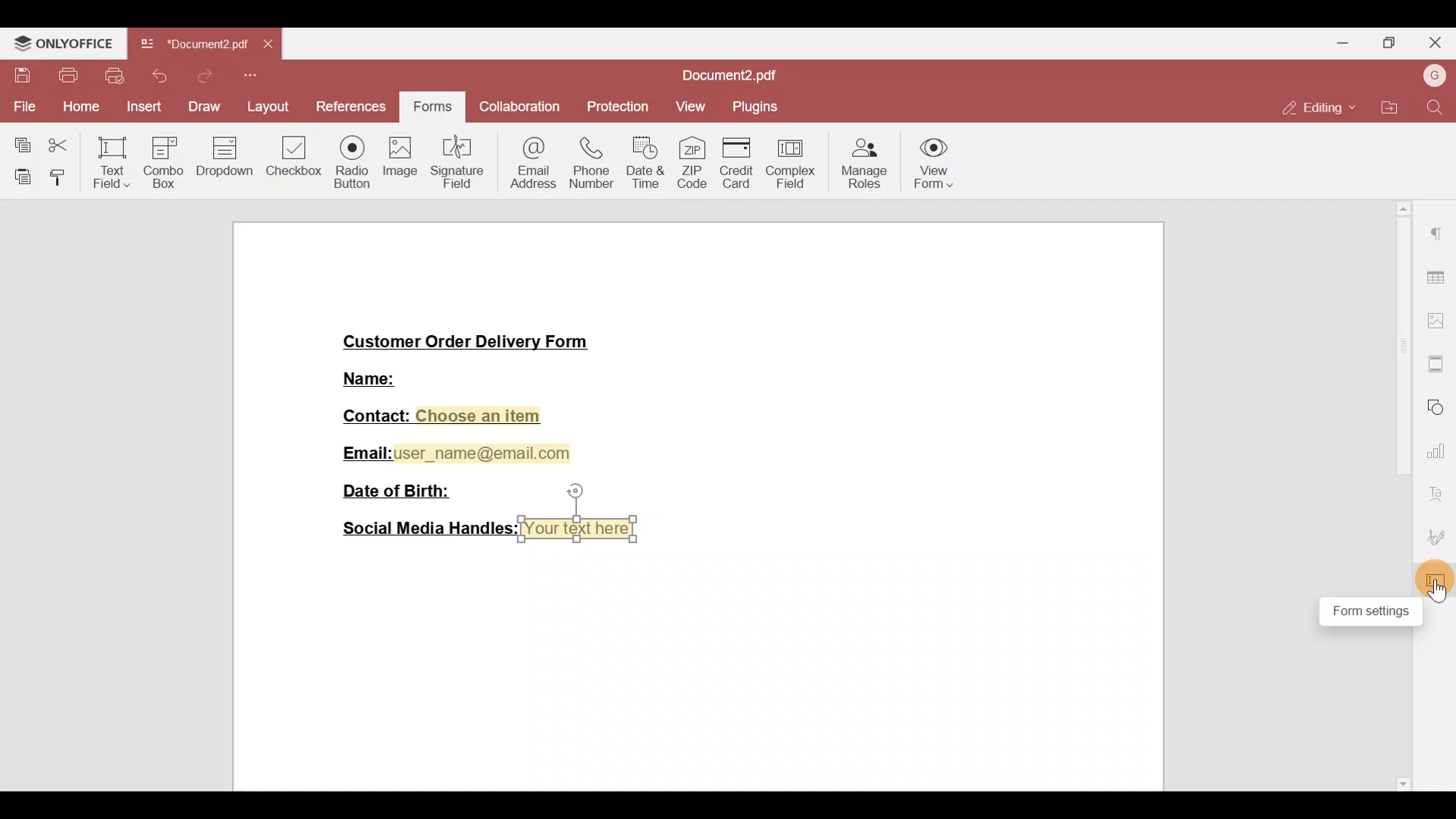 The width and height of the screenshot is (1456, 819). I want to click on Insert, so click(142, 108).